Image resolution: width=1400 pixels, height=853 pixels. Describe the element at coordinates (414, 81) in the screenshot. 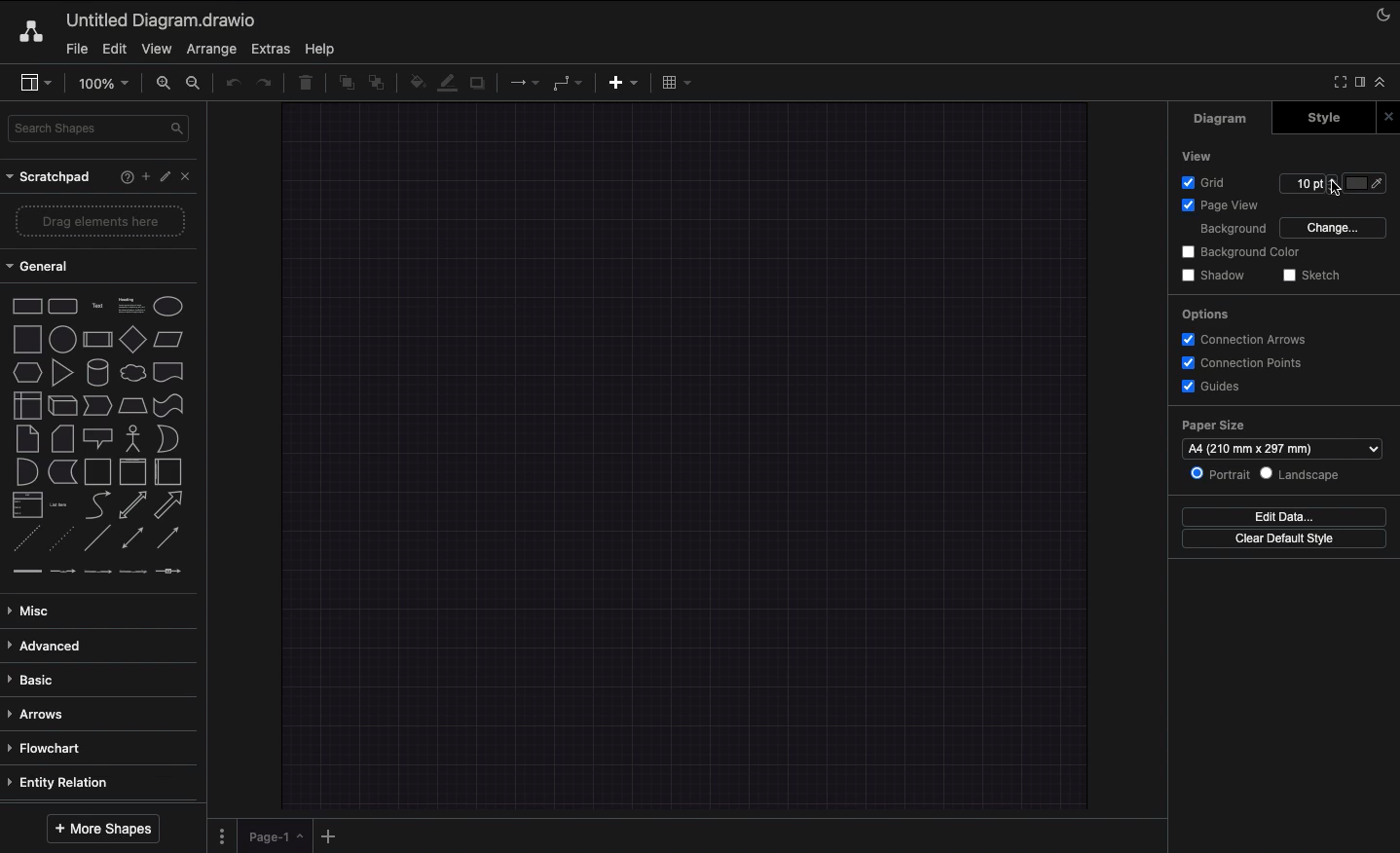

I see `Fill color` at that location.